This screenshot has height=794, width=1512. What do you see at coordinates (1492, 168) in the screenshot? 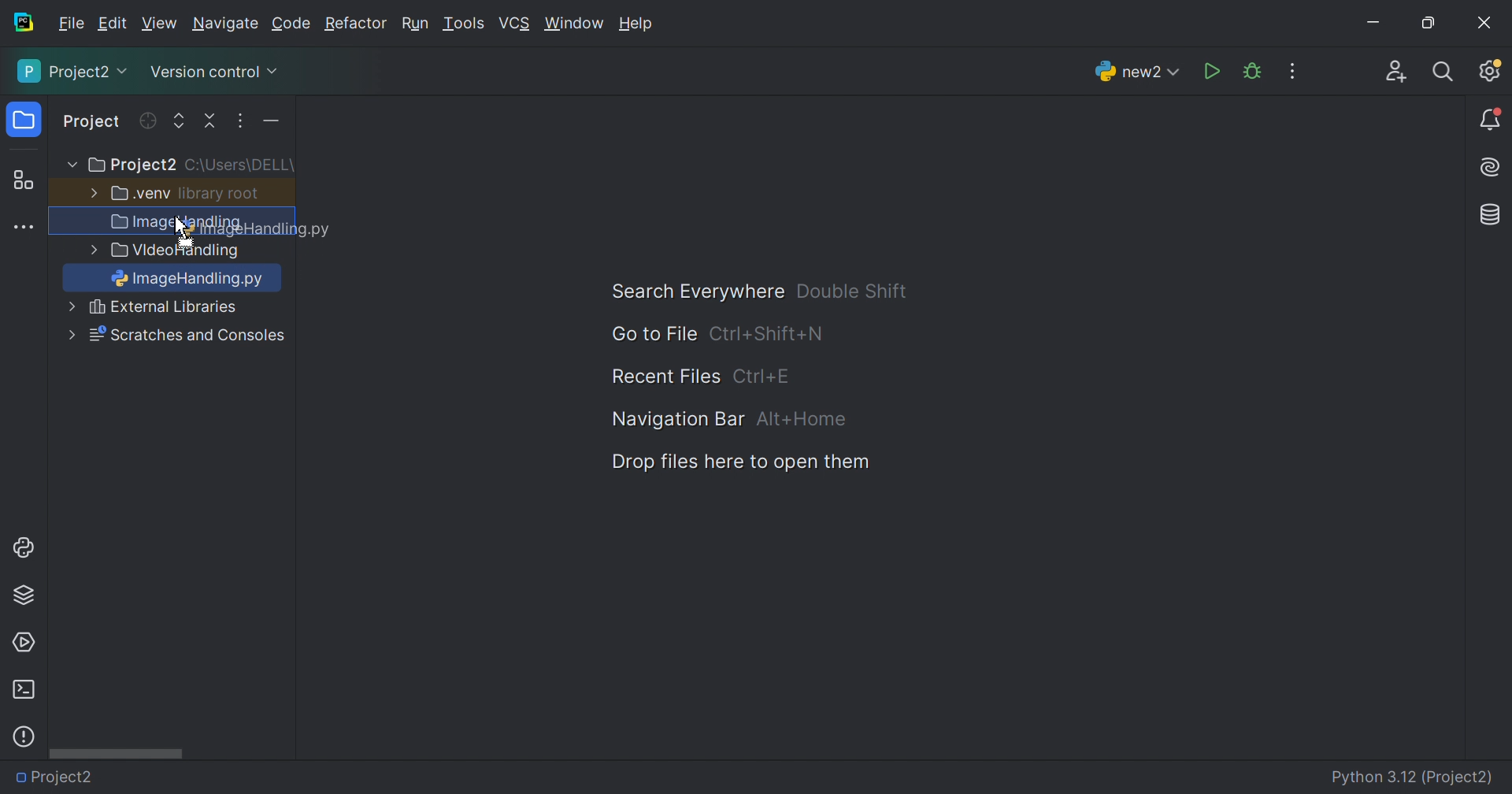
I see `AI Assistant` at bounding box center [1492, 168].